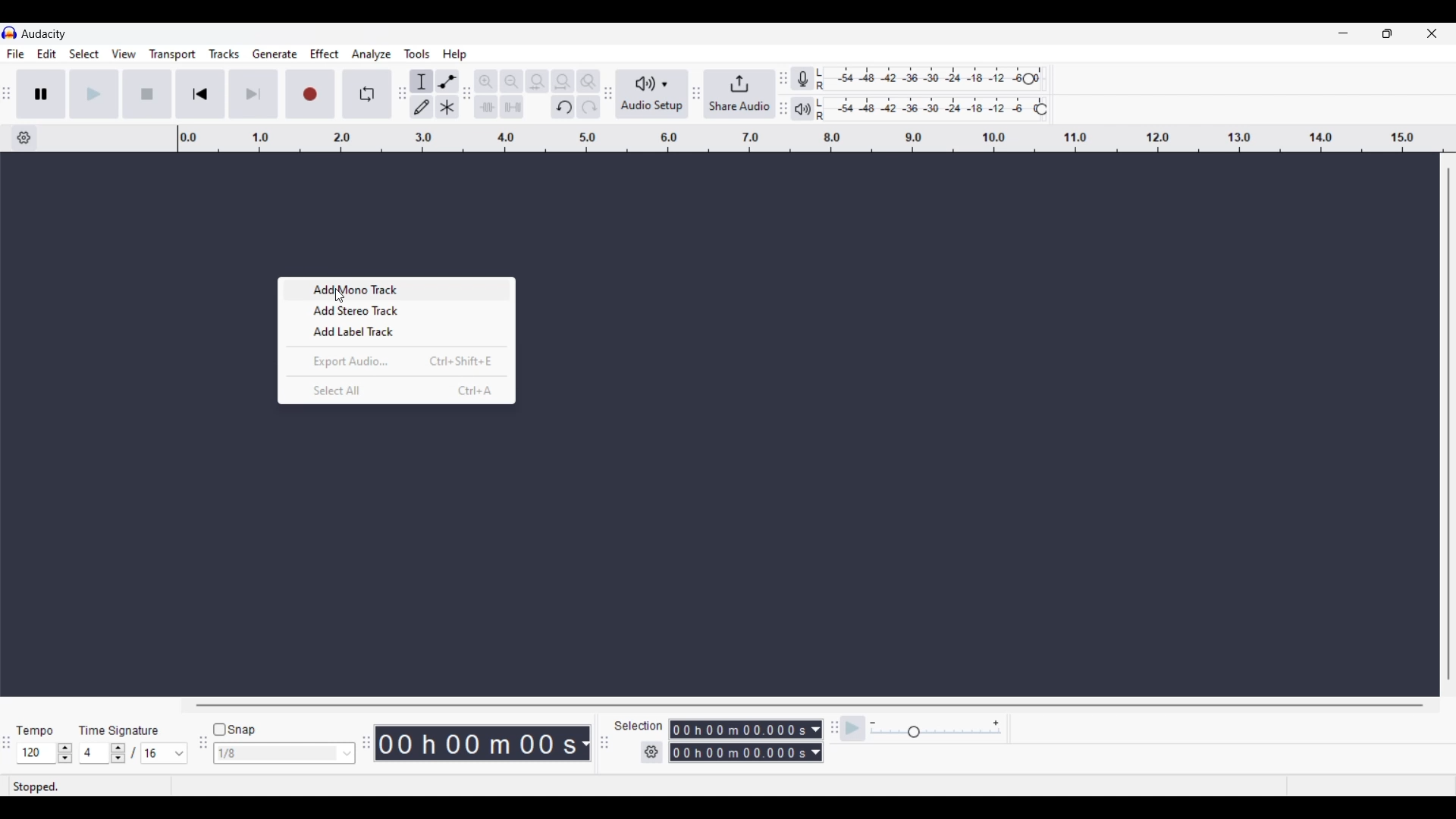 This screenshot has width=1456, height=819. Describe the element at coordinates (447, 81) in the screenshot. I see `Envelop tool` at that location.